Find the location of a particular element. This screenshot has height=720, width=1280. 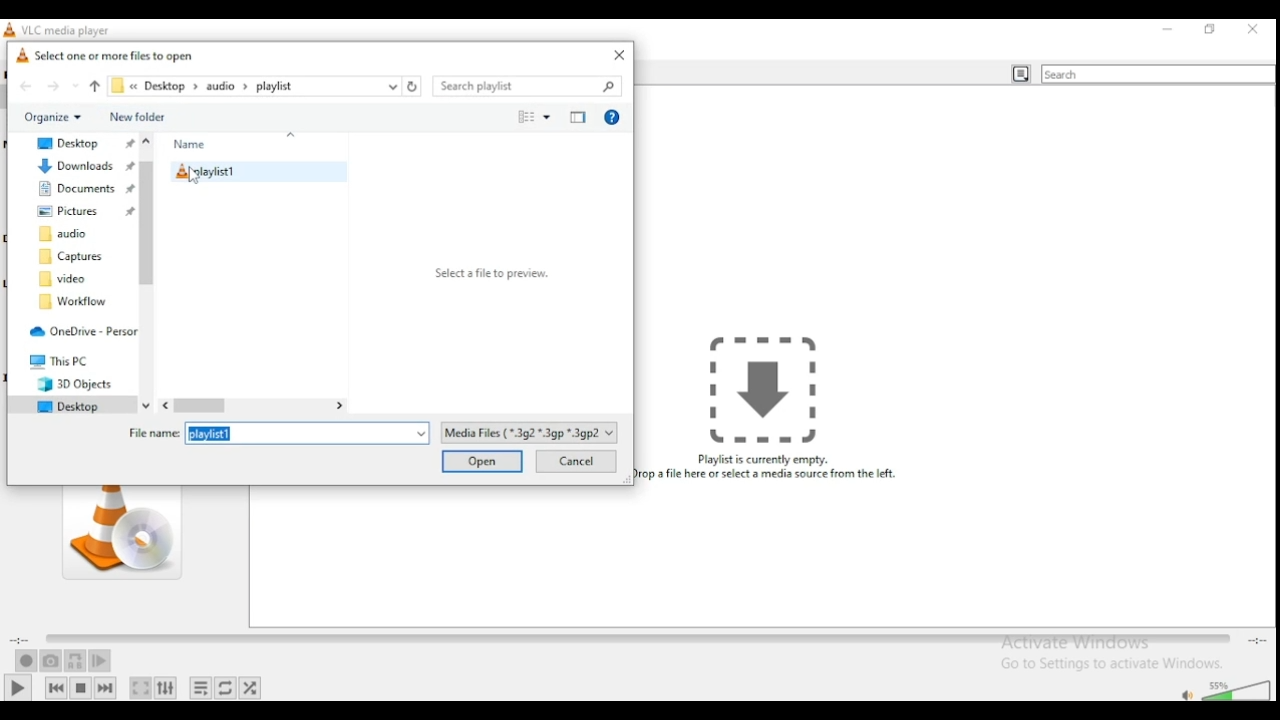

recent locations is located at coordinates (393, 86).